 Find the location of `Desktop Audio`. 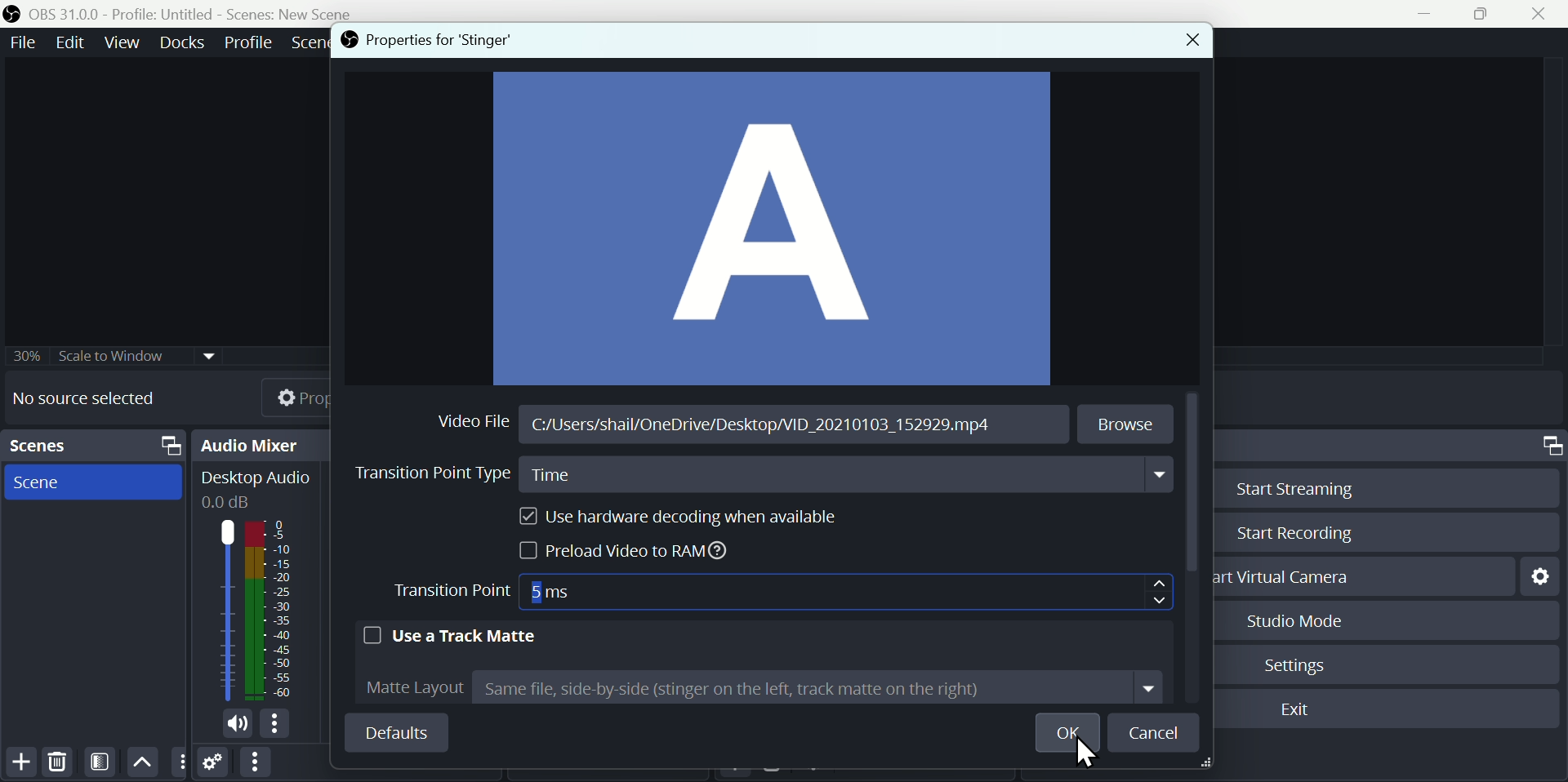

Desktop Audio is located at coordinates (254, 488).